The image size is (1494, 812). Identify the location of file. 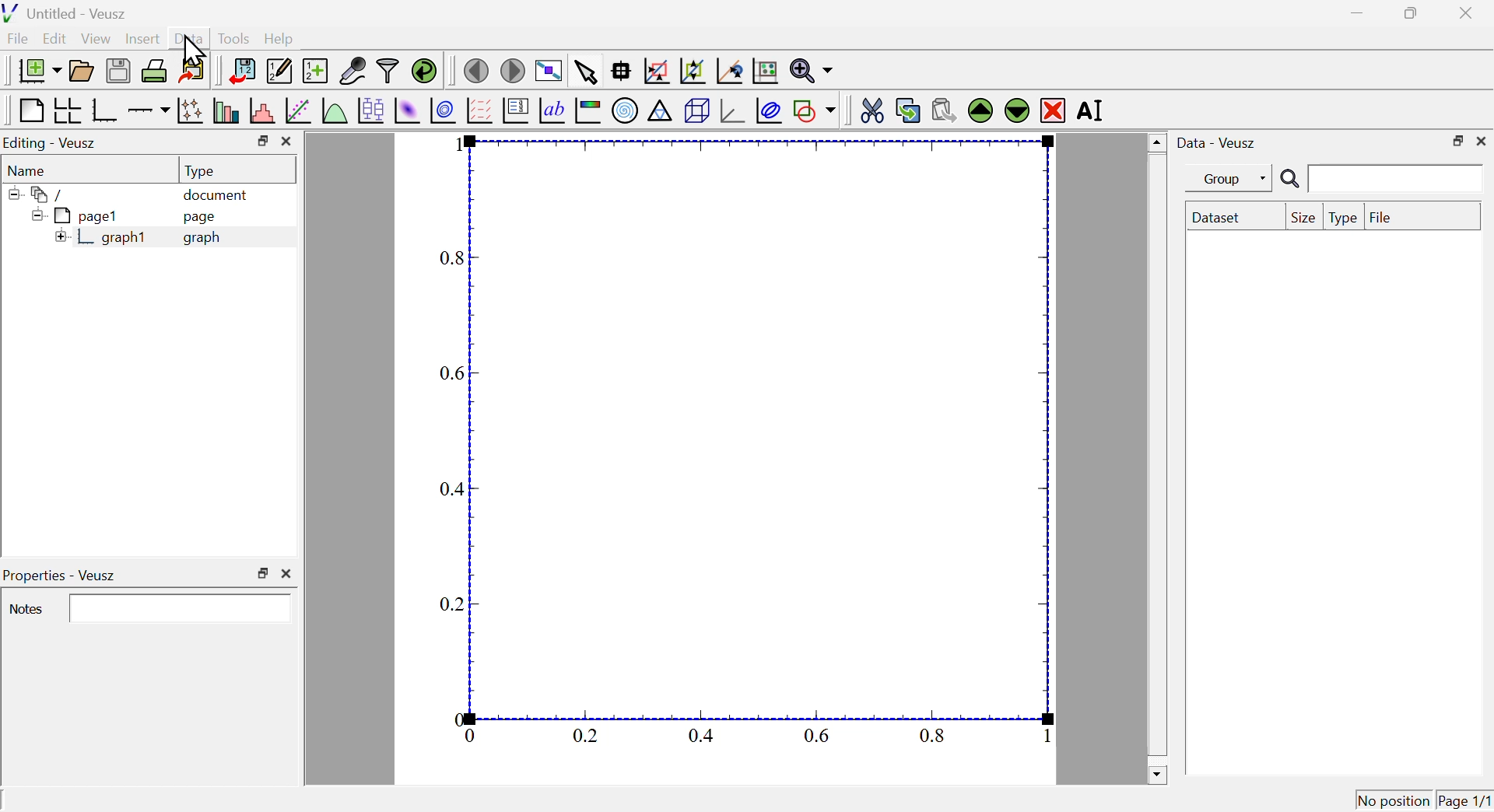
(1381, 215).